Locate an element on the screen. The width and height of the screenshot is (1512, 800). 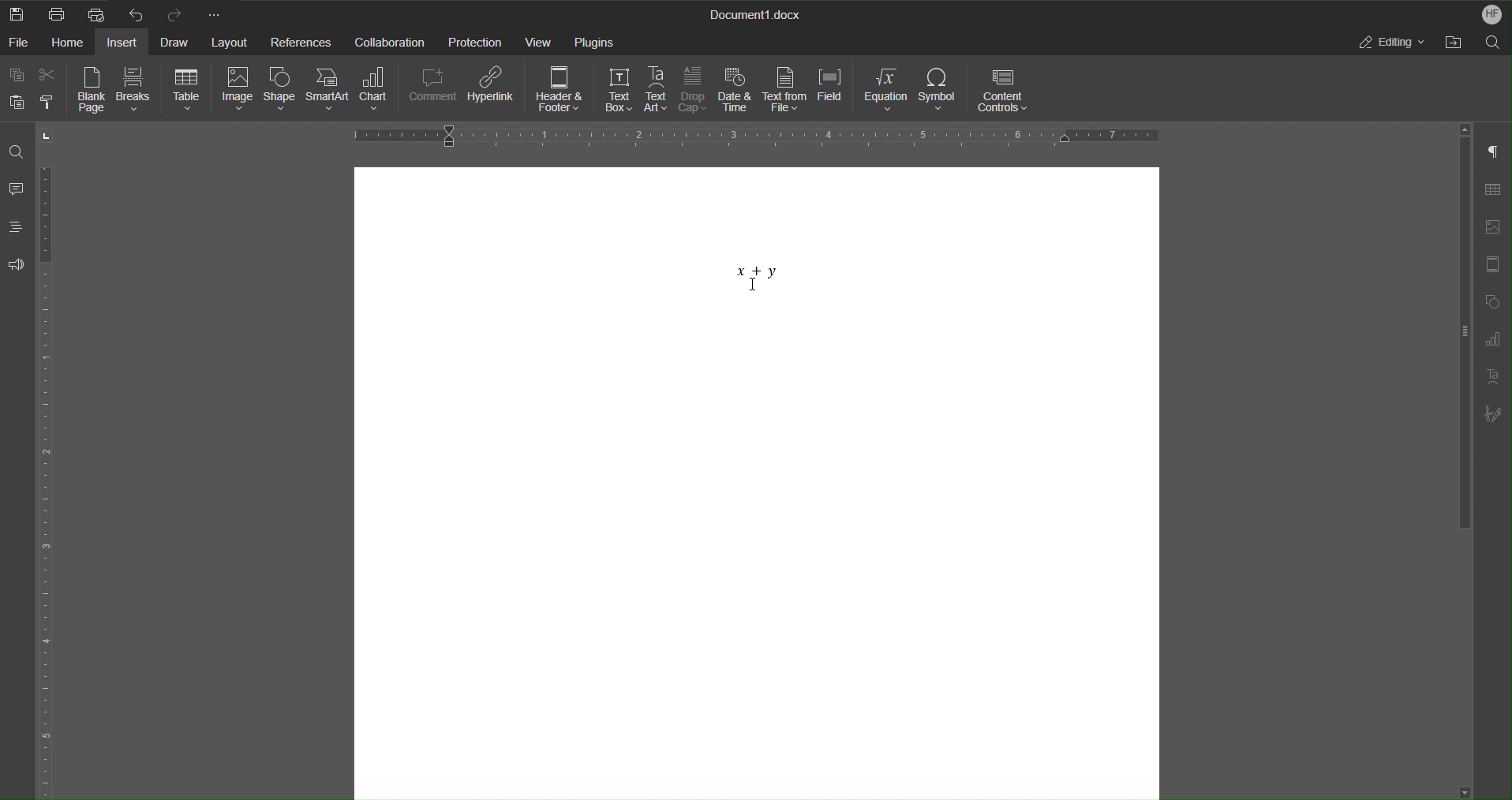
Document Title is located at coordinates (755, 13).